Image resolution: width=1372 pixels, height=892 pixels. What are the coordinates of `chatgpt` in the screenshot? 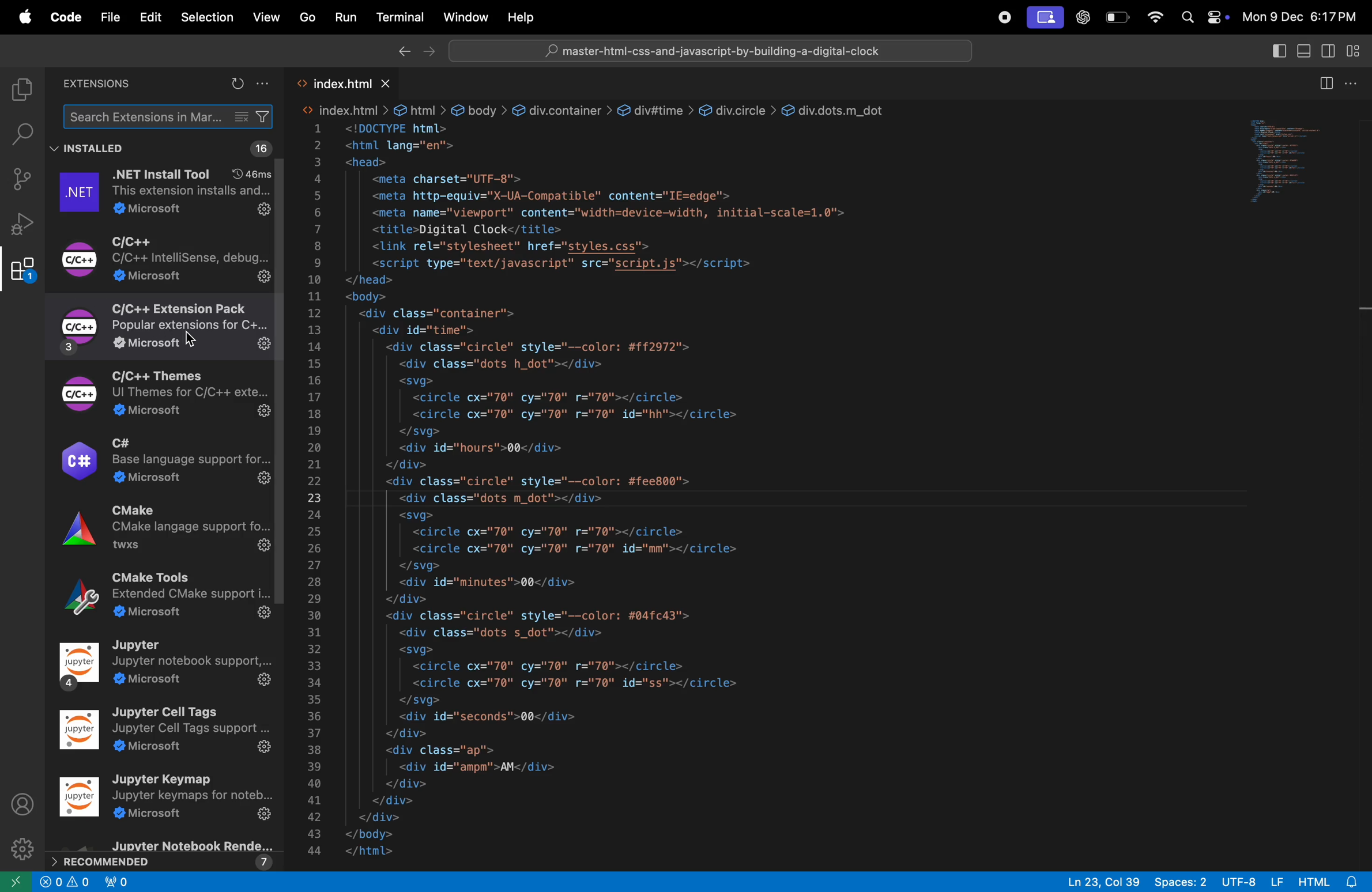 It's located at (1084, 18).